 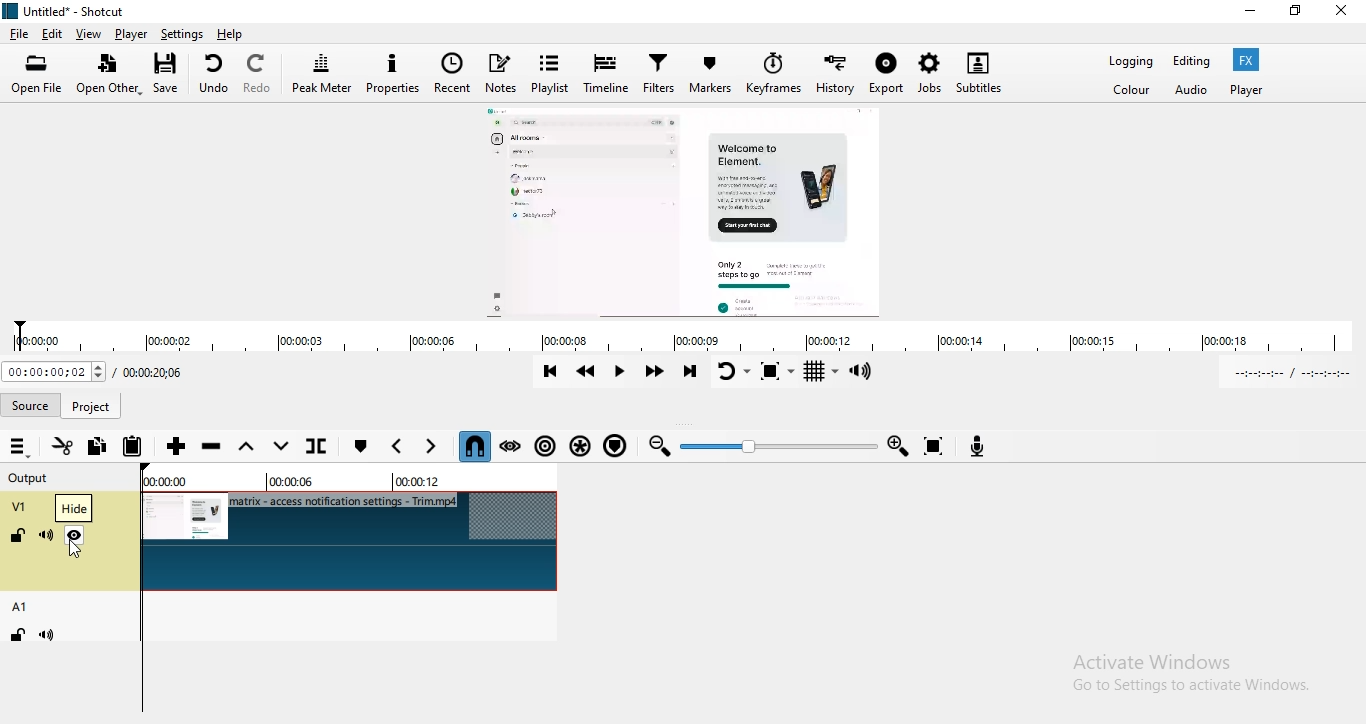 What do you see at coordinates (661, 449) in the screenshot?
I see `Zoom out` at bounding box center [661, 449].